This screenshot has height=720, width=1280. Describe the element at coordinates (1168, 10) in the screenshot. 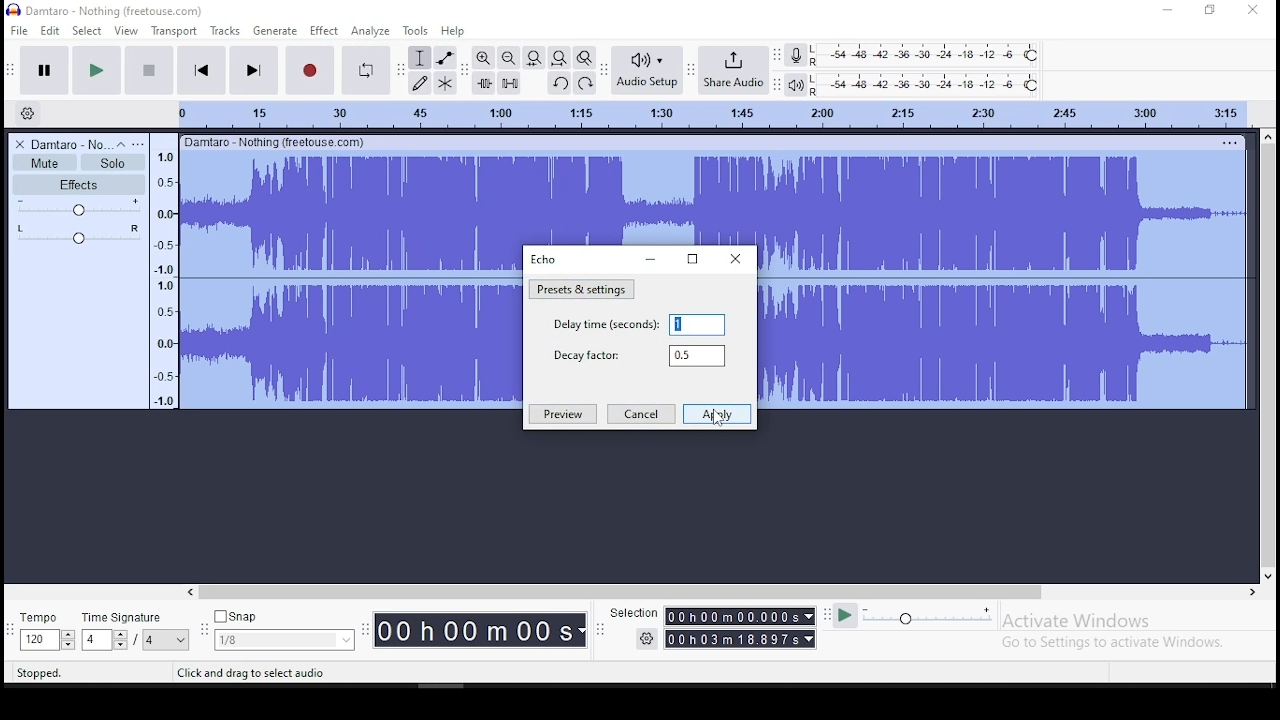

I see `minimize` at that location.